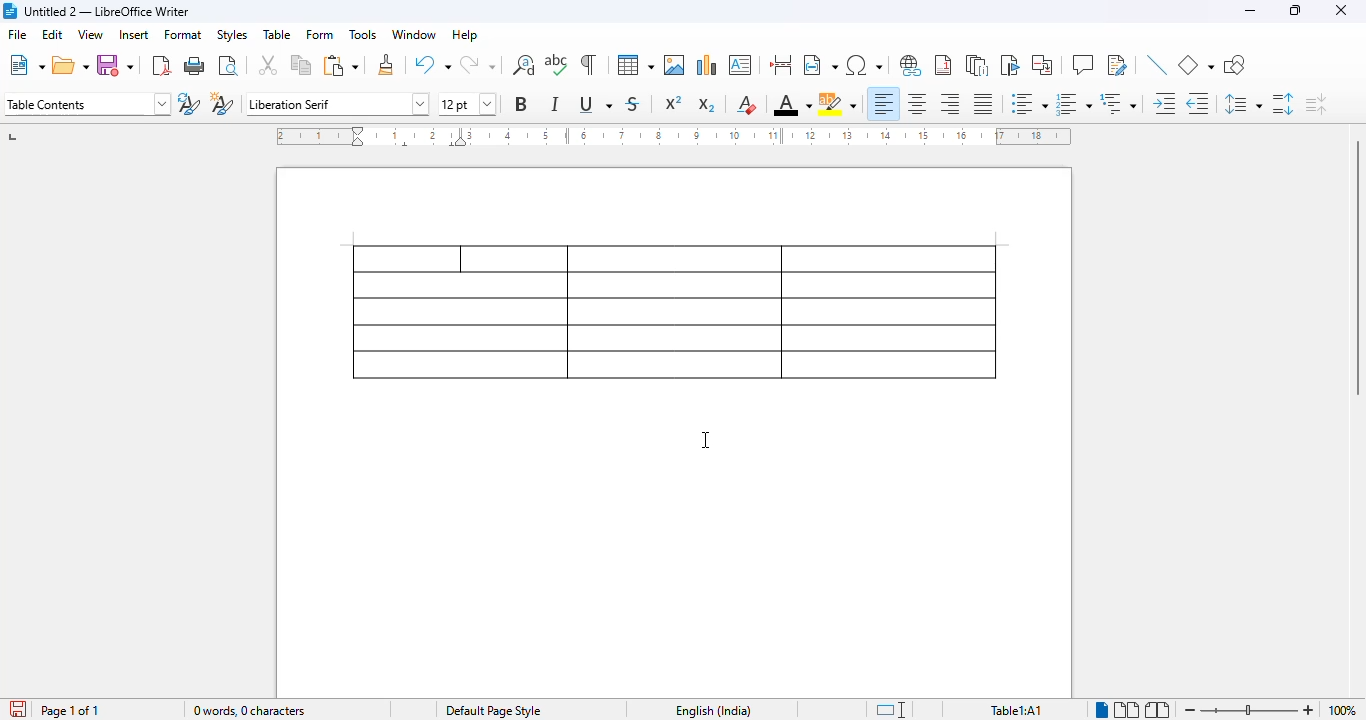 Image resolution: width=1366 pixels, height=720 pixels. What do you see at coordinates (1083, 65) in the screenshot?
I see `insert comment` at bounding box center [1083, 65].